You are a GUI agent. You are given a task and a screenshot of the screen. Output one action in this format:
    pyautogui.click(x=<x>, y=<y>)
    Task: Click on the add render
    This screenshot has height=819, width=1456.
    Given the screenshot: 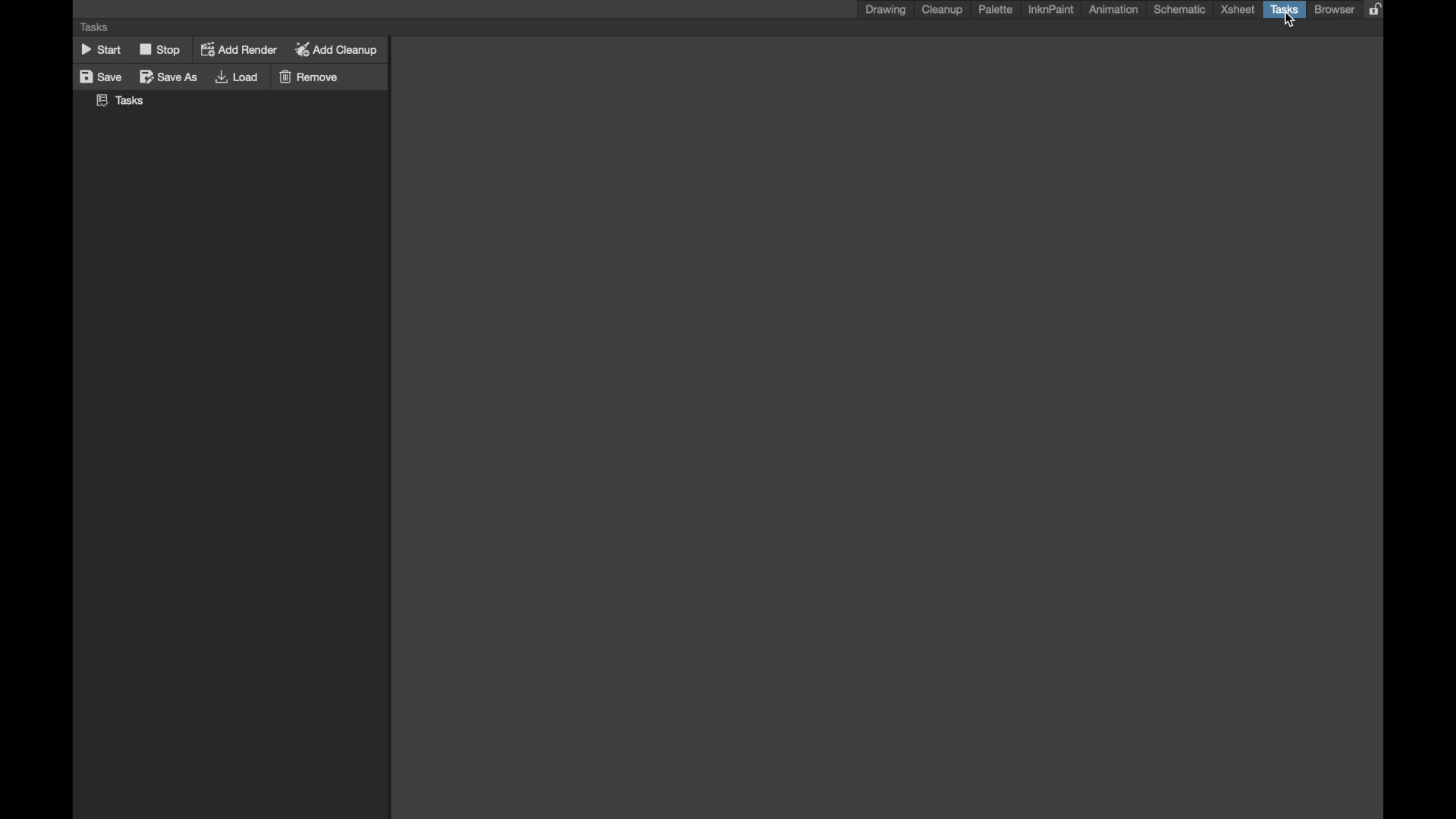 What is the action you would take?
    pyautogui.click(x=240, y=49)
    